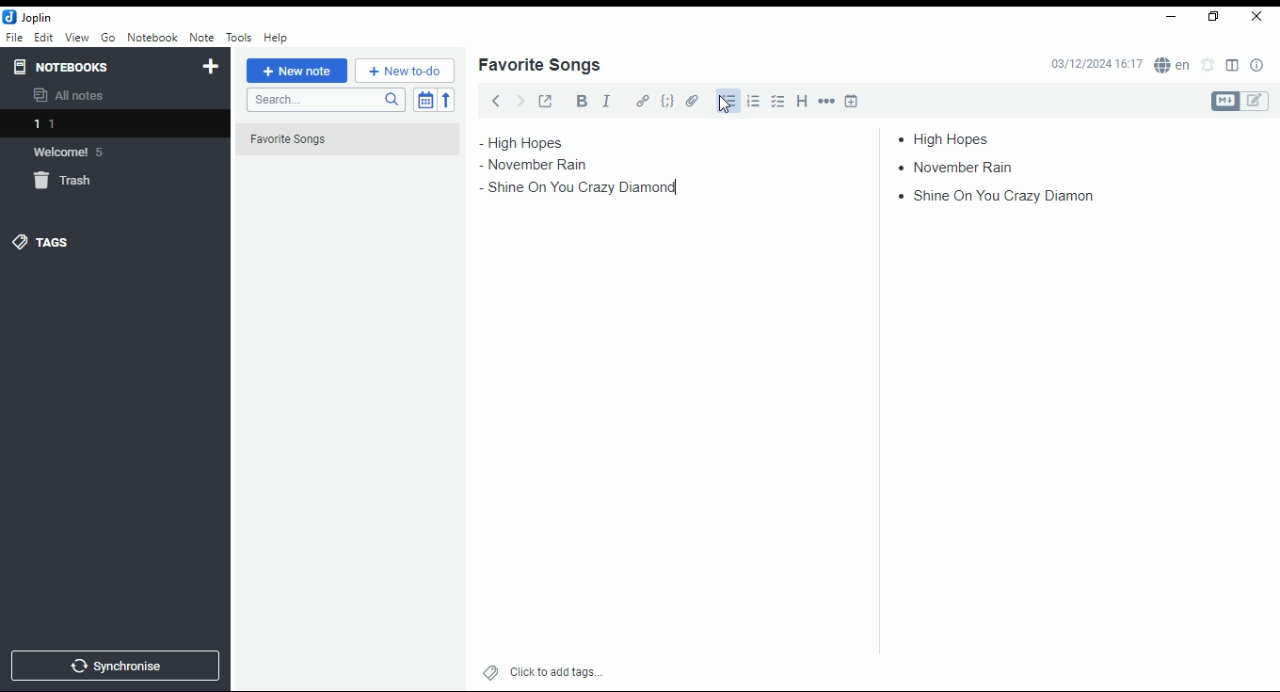 The image size is (1280, 692). Describe the element at coordinates (77, 38) in the screenshot. I see `view` at that location.